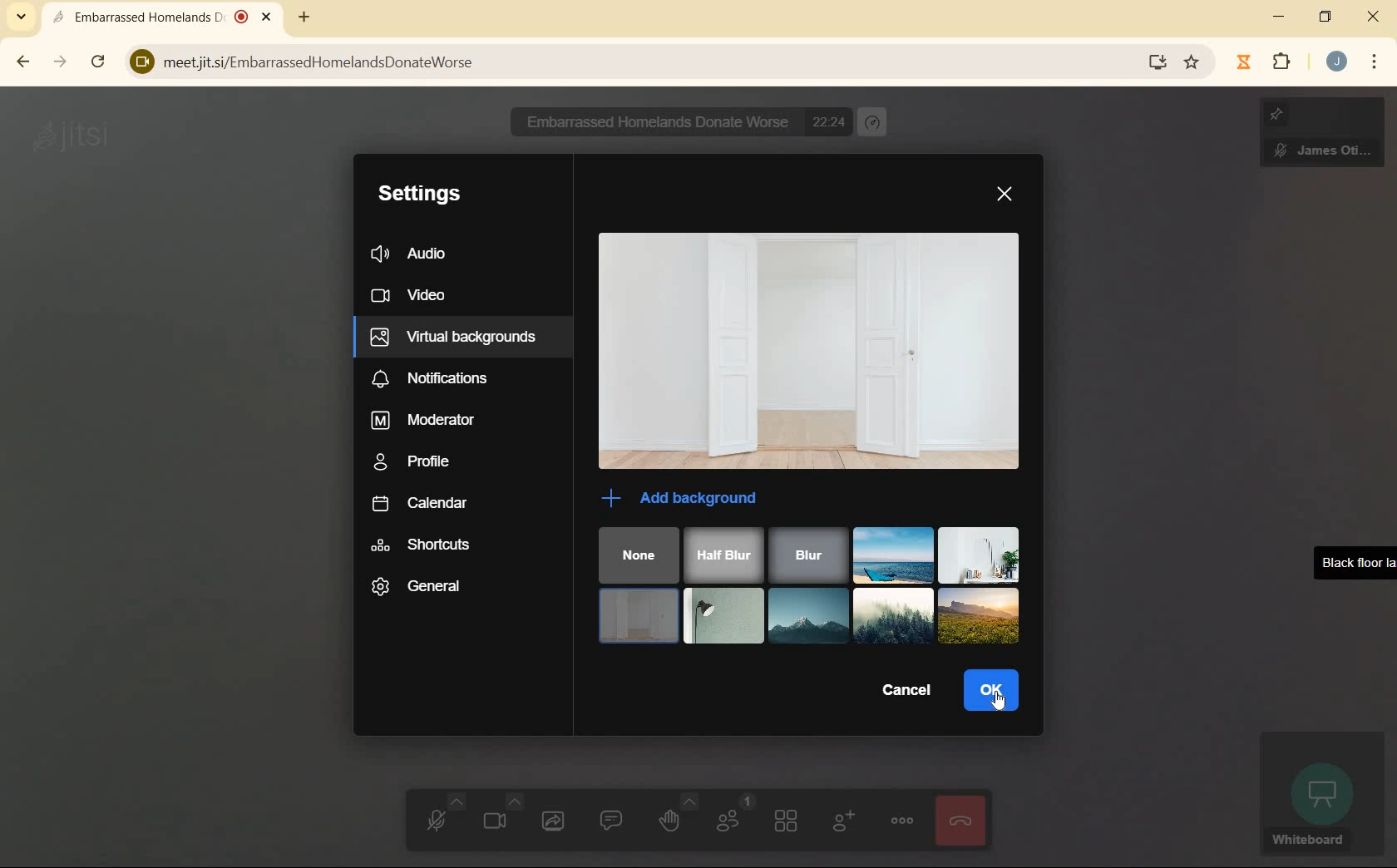  What do you see at coordinates (831, 121) in the screenshot?
I see `22:05` at bounding box center [831, 121].